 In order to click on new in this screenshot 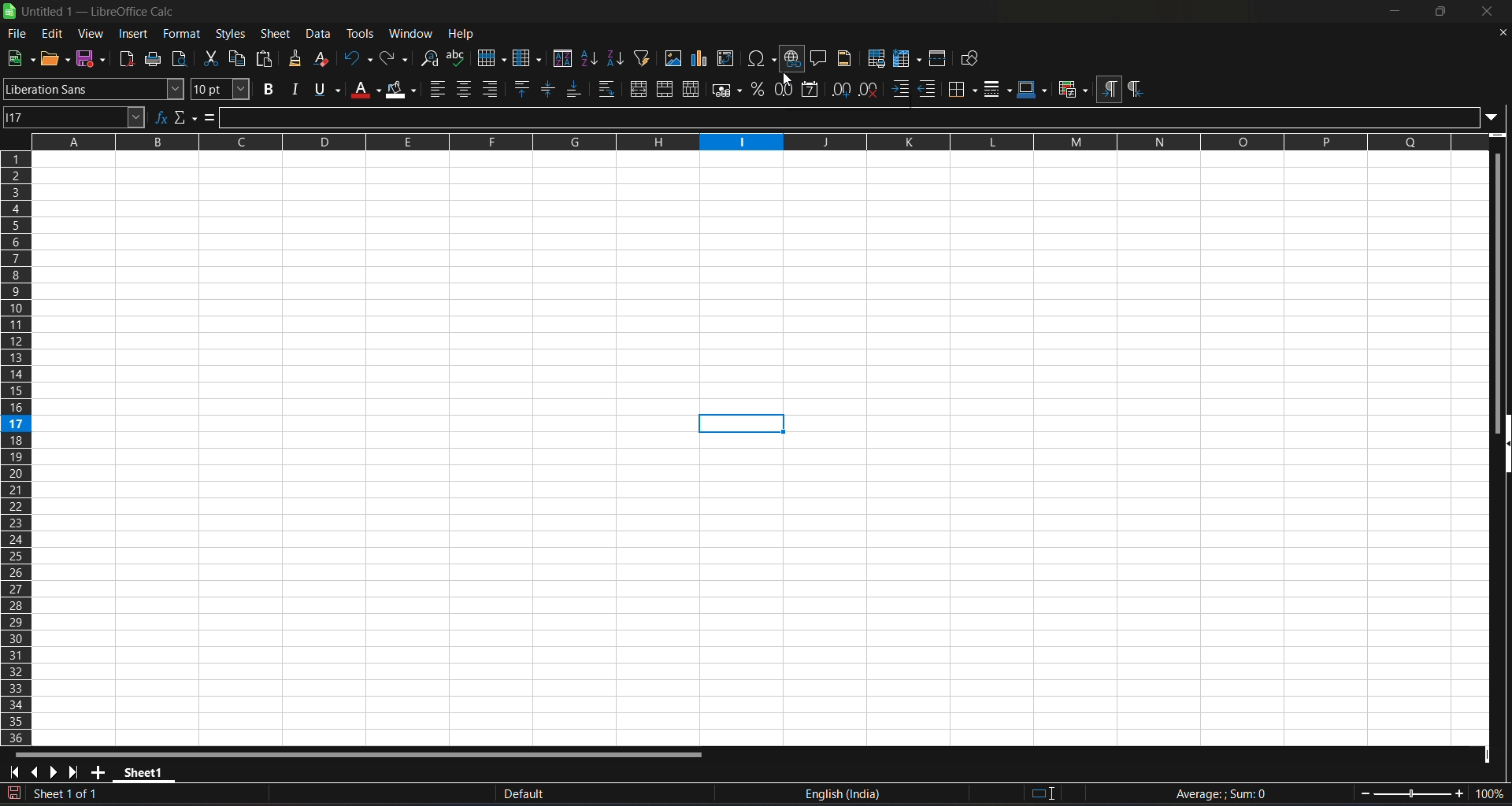, I will do `click(56, 58)`.